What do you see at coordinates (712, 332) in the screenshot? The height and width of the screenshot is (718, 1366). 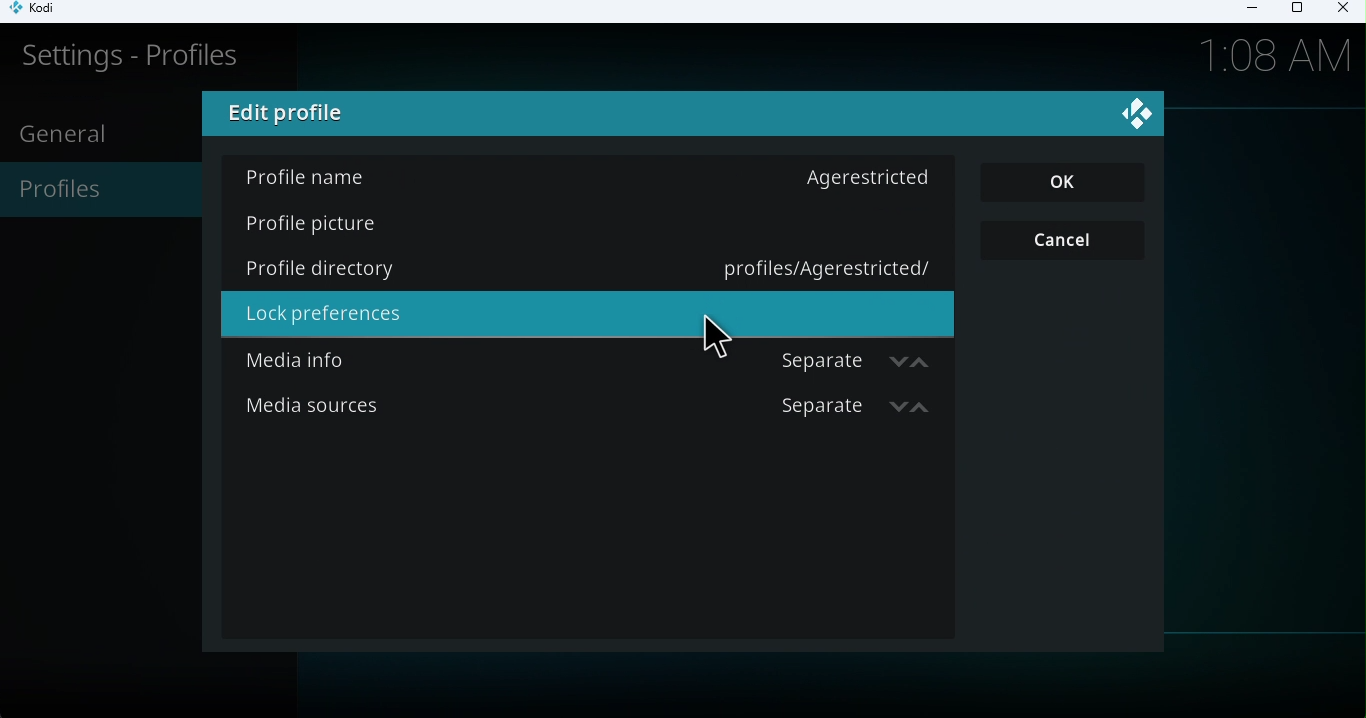 I see `cursor` at bounding box center [712, 332].